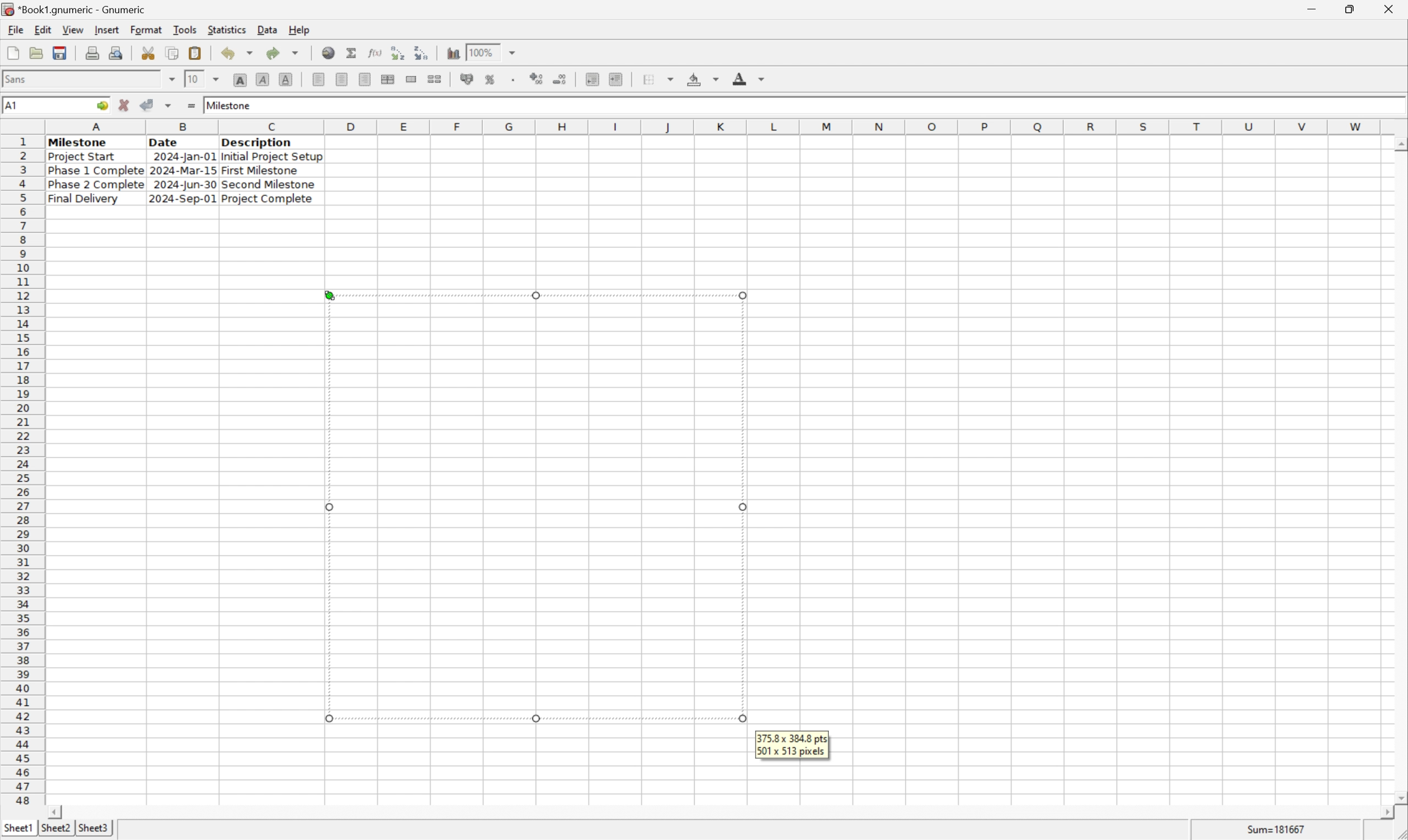 This screenshot has height=840, width=1408. I want to click on cut, so click(149, 53).